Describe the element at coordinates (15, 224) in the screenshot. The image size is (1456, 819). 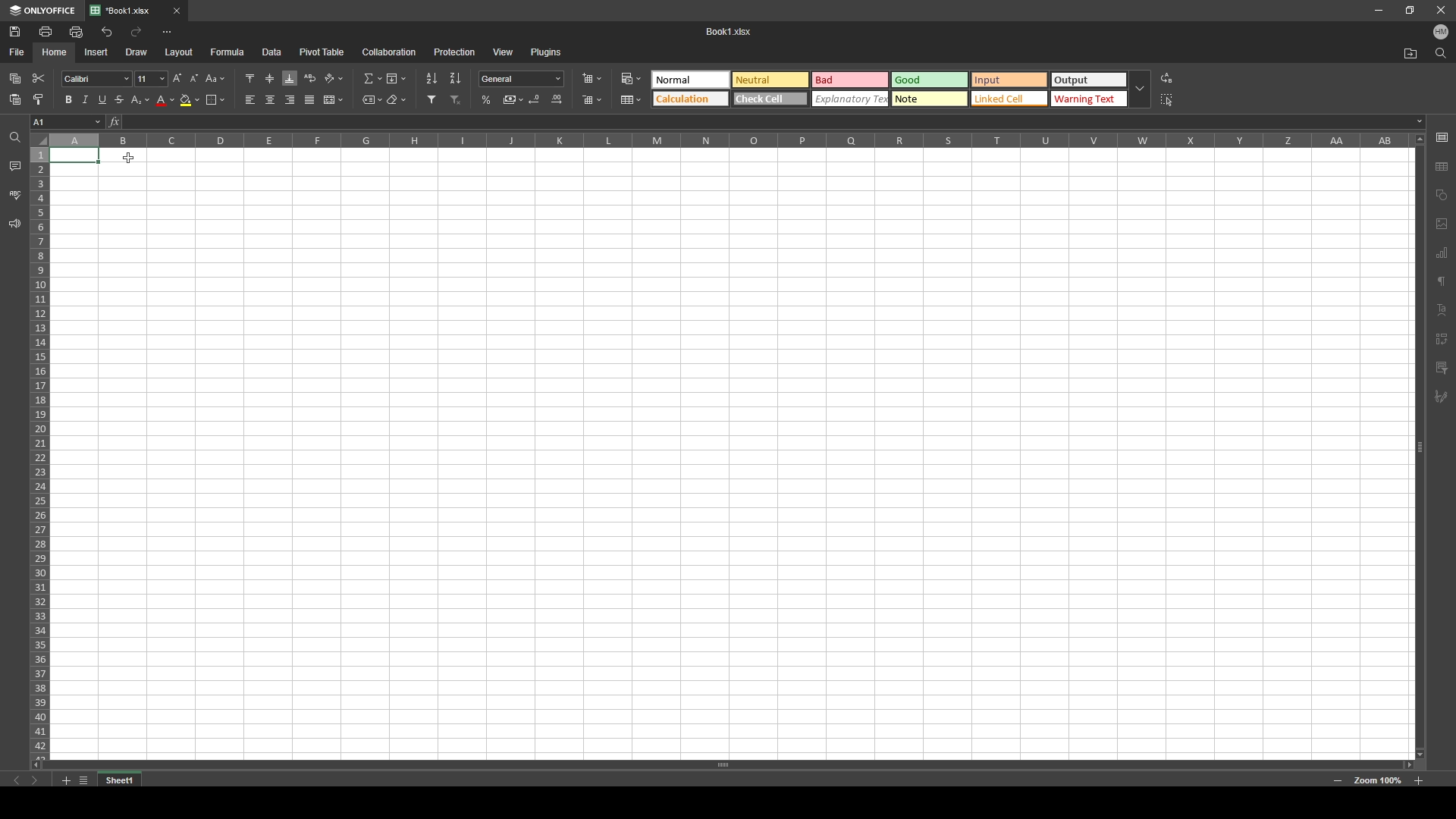
I see `feedback` at that location.